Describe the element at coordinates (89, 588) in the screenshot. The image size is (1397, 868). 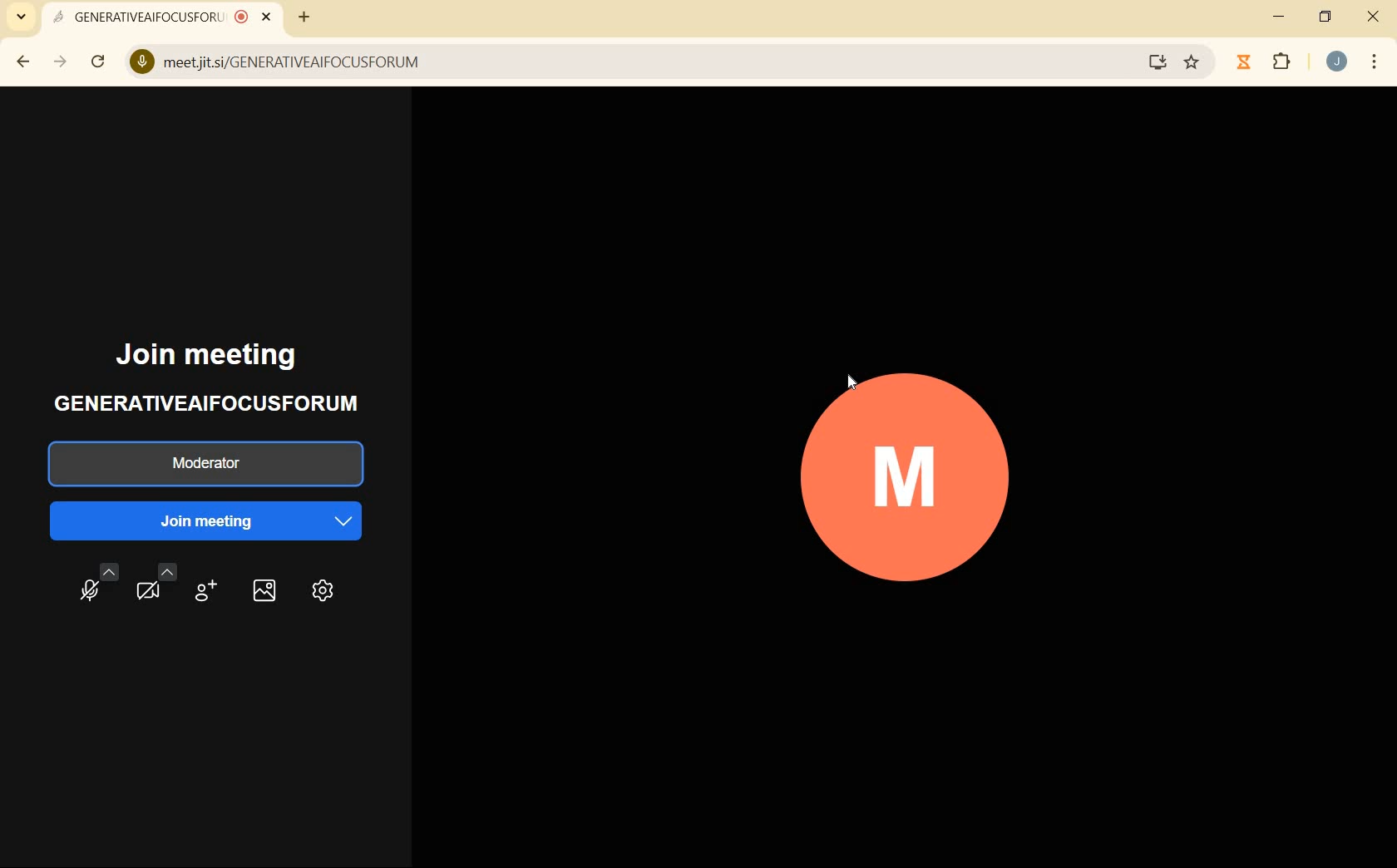
I see `MICROPHONE` at that location.